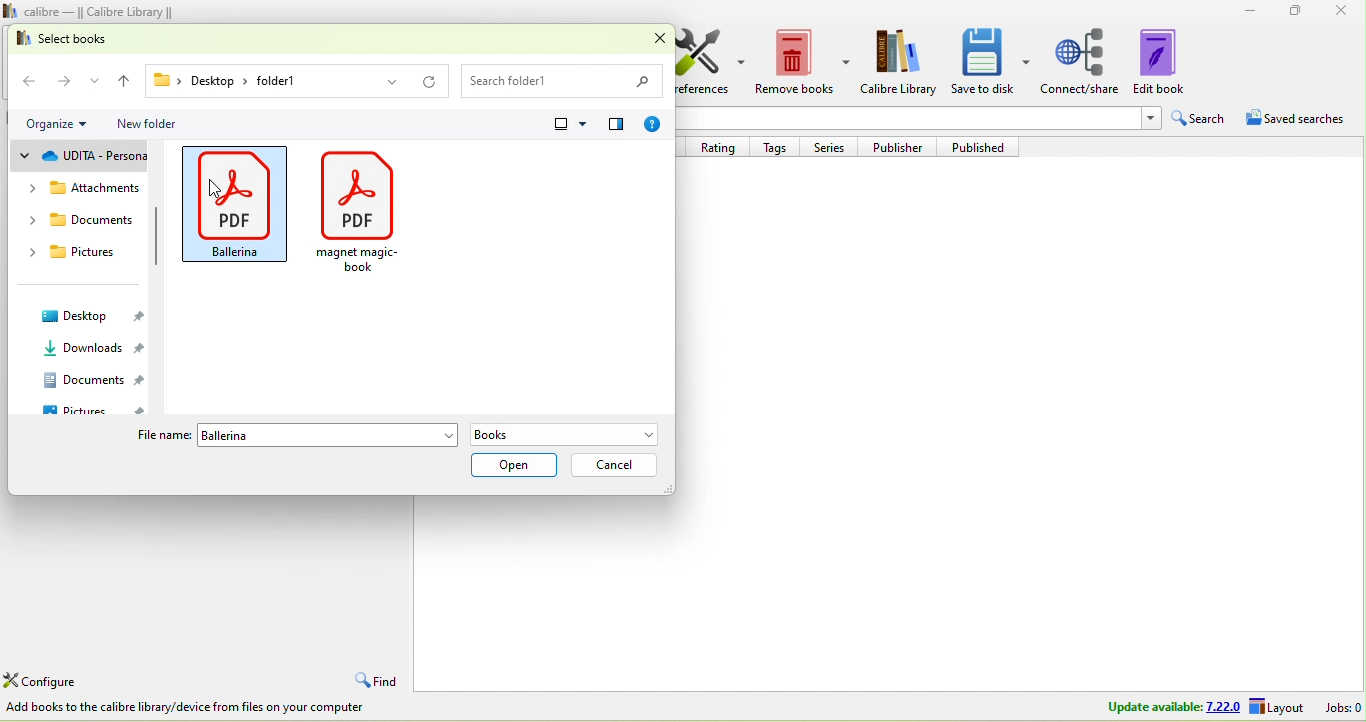 The width and height of the screenshot is (1366, 722). What do you see at coordinates (123, 78) in the screenshot?
I see `up to desktop` at bounding box center [123, 78].